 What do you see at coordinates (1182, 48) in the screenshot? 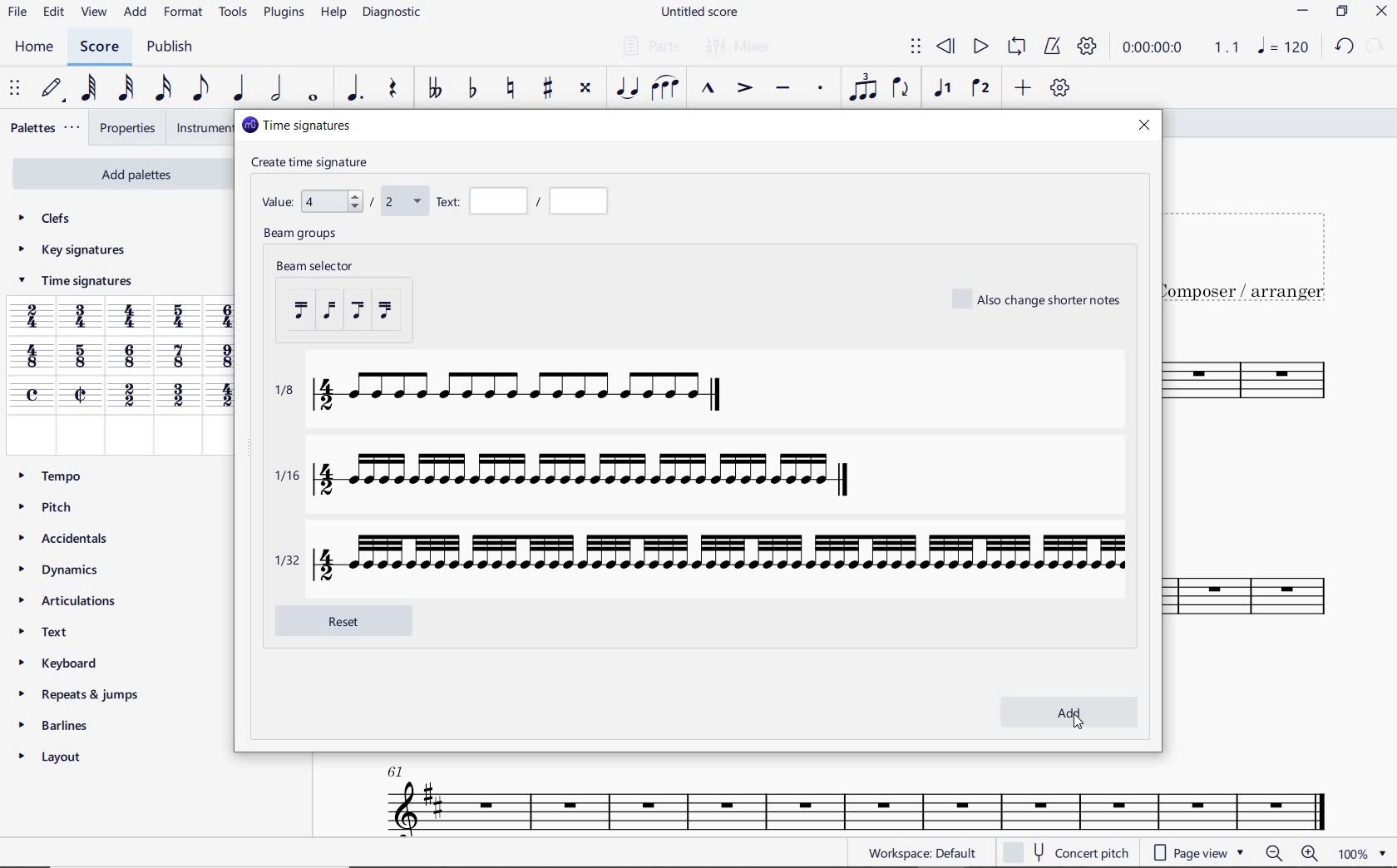
I see `PLAY SPEED` at bounding box center [1182, 48].